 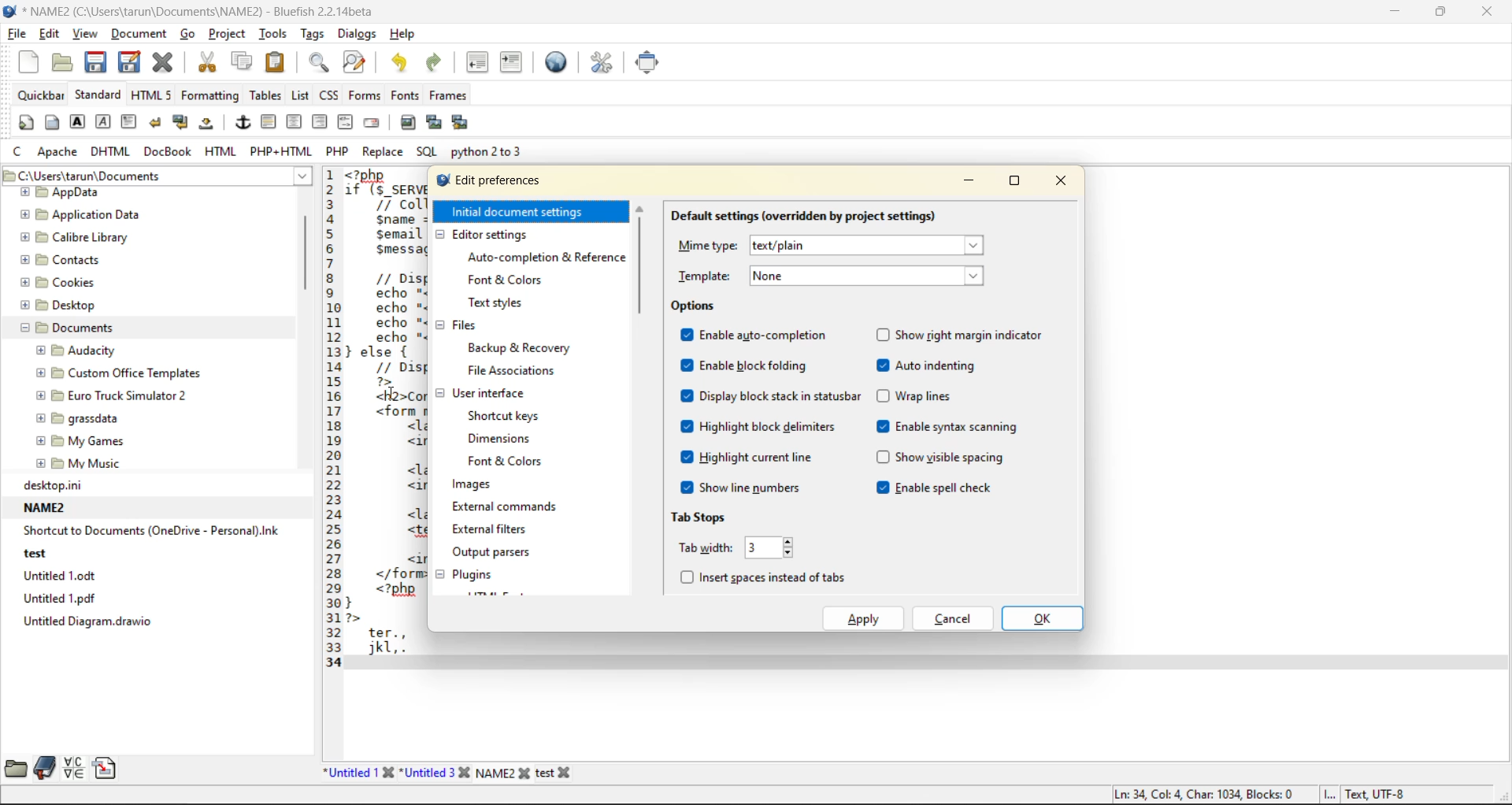 What do you see at coordinates (382, 414) in the screenshot?
I see `code` at bounding box center [382, 414].